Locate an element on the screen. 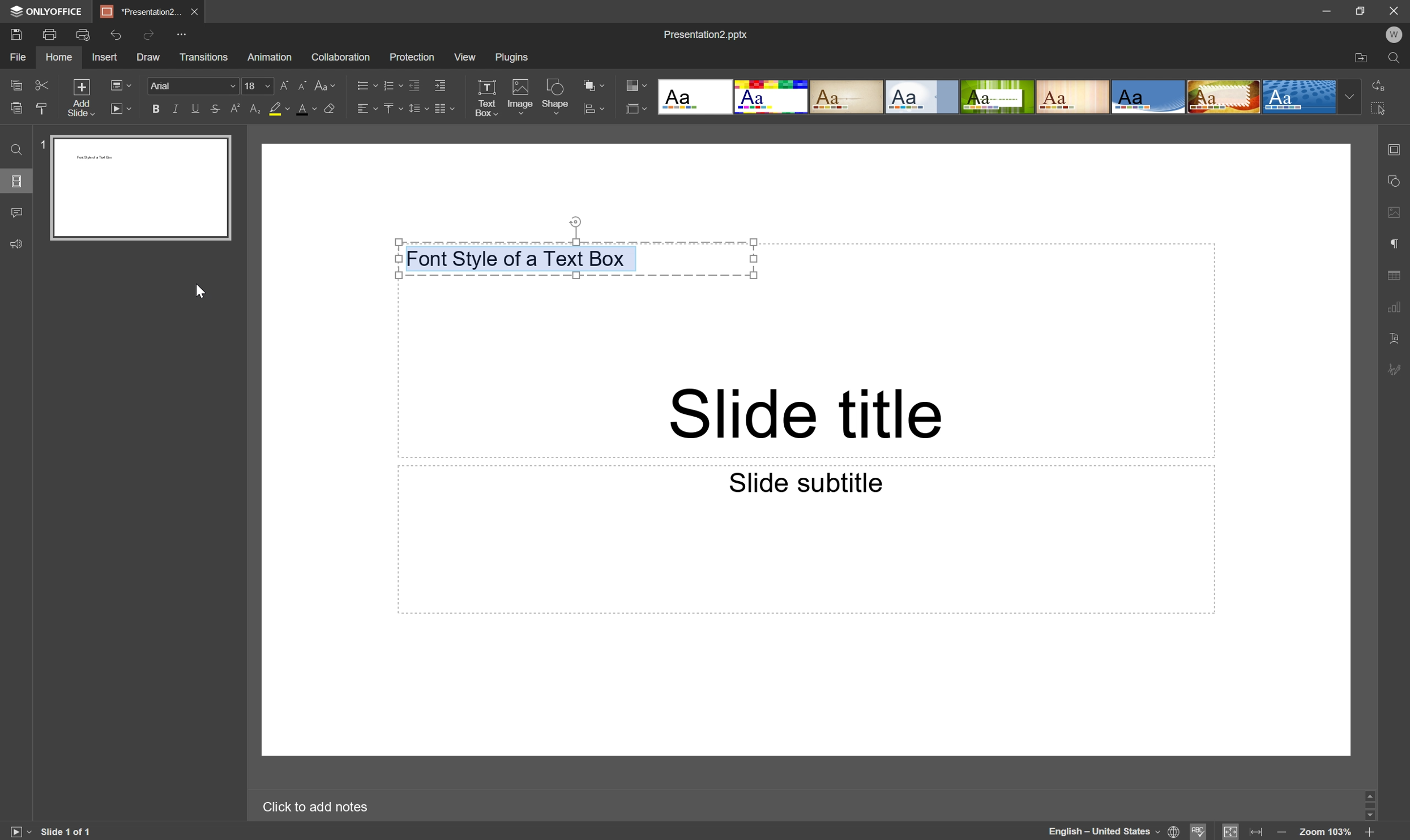 The width and height of the screenshot is (1410, 840). Select slide layout is located at coordinates (120, 84).